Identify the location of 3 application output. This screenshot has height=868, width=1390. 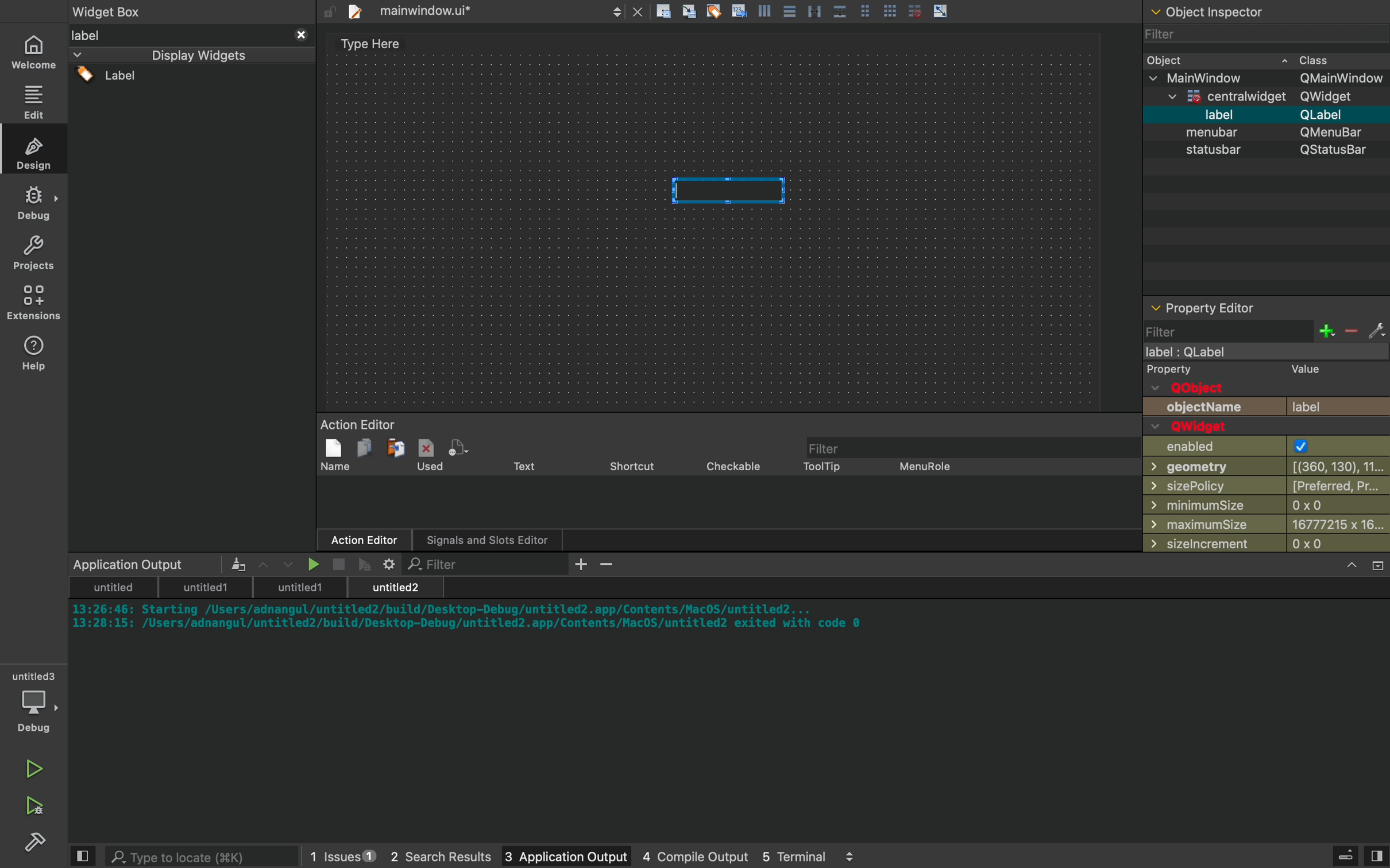
(550, 857).